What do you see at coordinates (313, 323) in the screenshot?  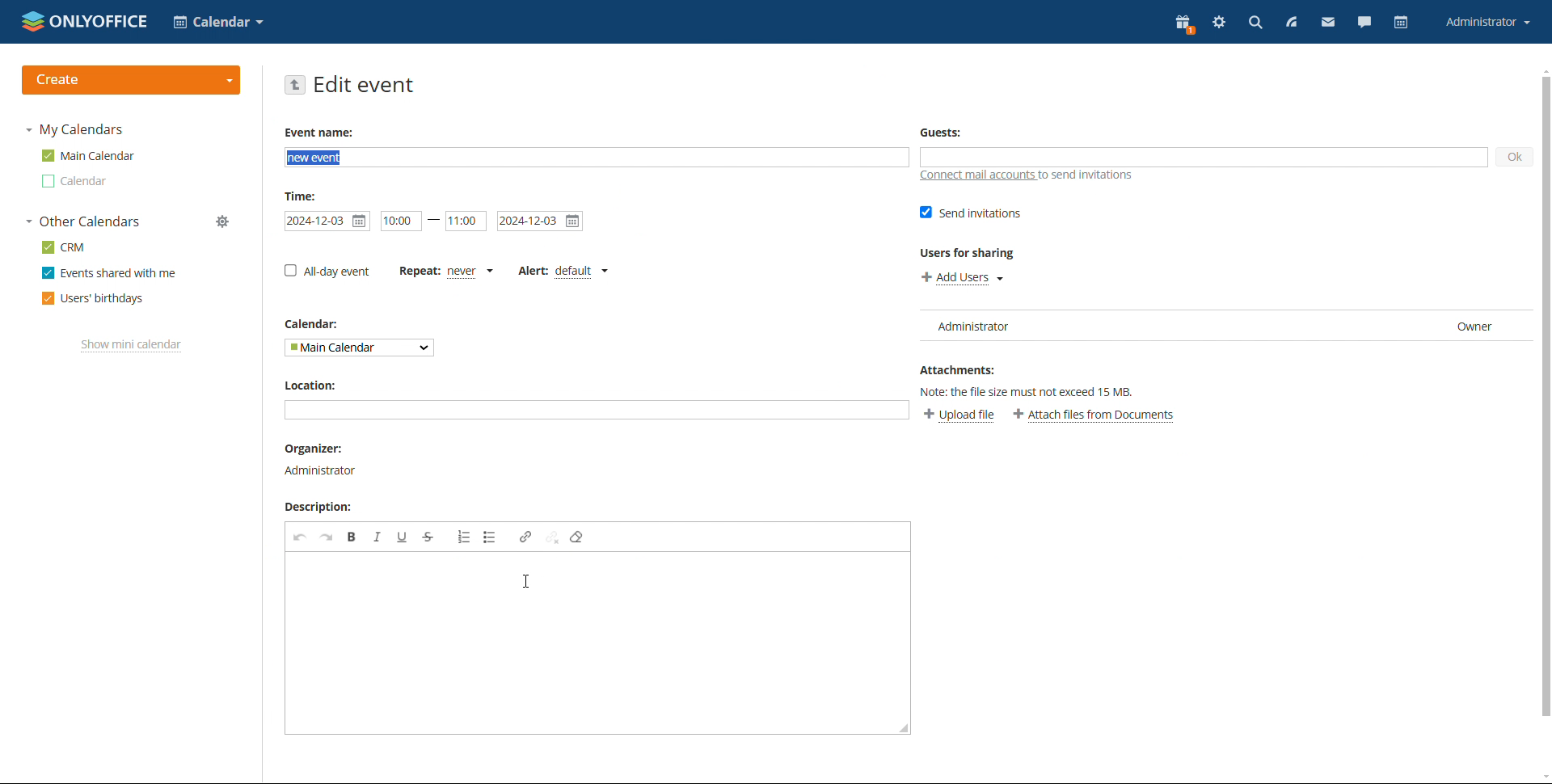 I see `Calendar:` at bounding box center [313, 323].